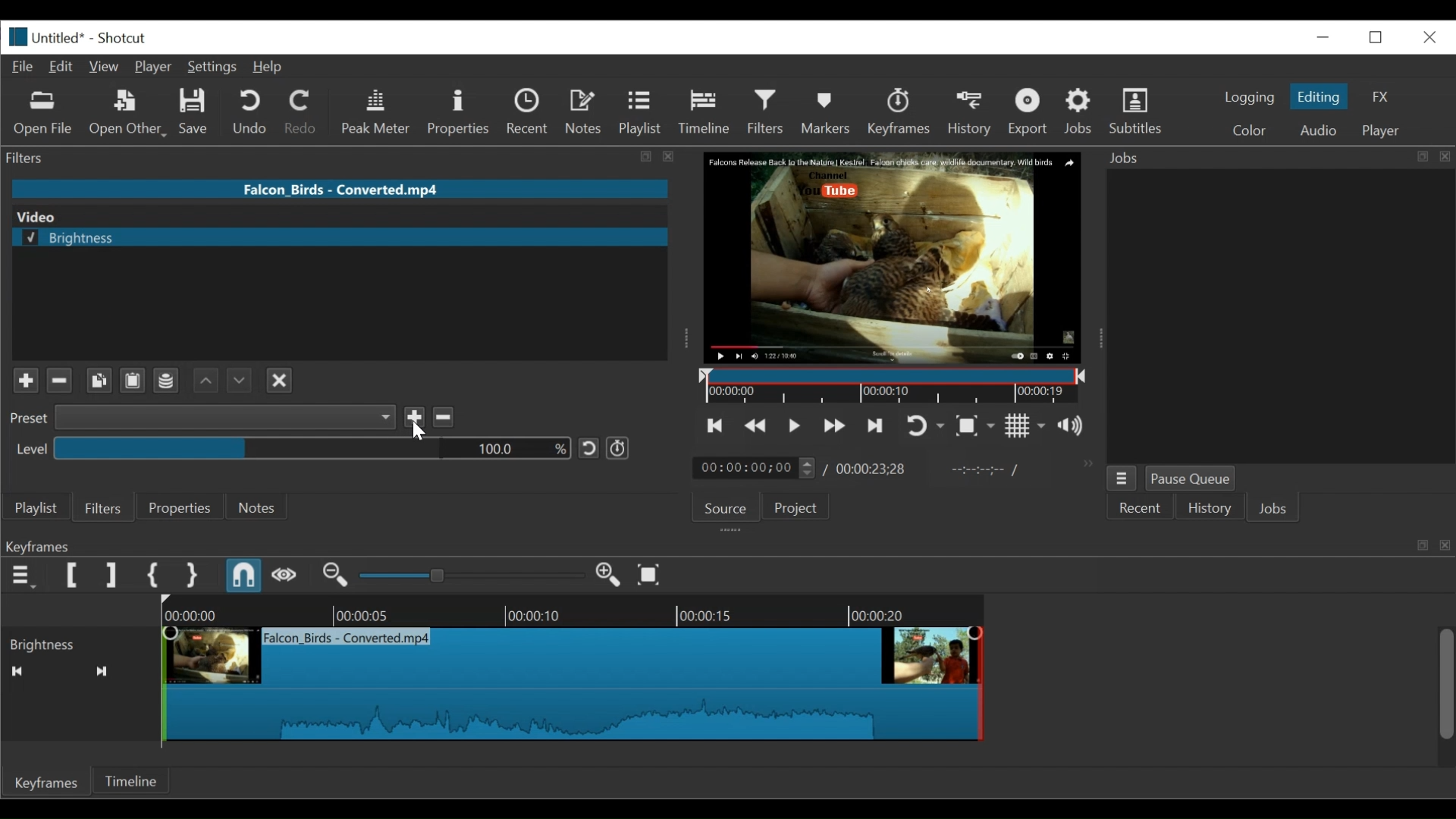 This screenshot has width=1456, height=819. I want to click on Open File, so click(44, 115).